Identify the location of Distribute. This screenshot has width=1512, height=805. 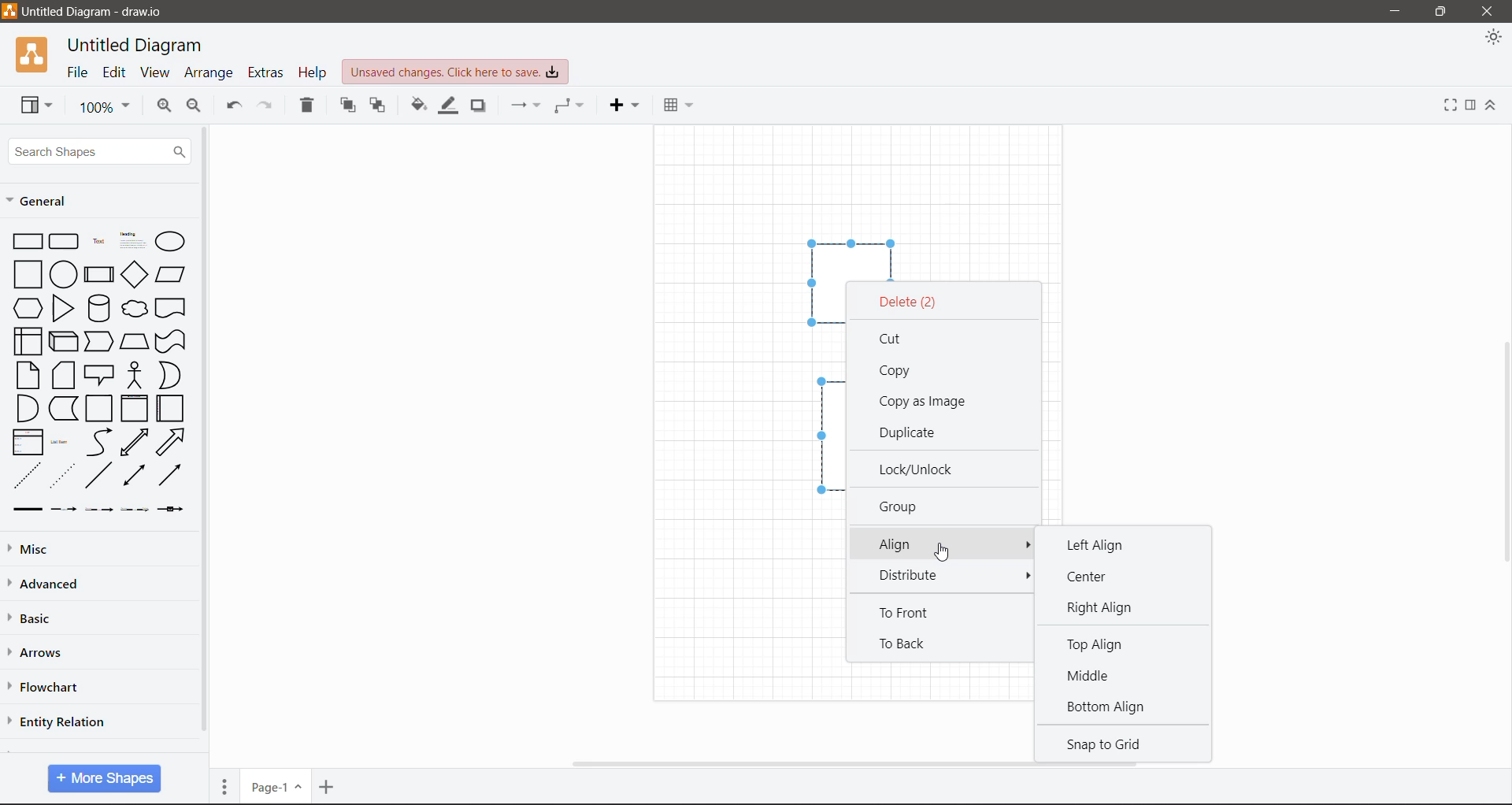
(920, 576).